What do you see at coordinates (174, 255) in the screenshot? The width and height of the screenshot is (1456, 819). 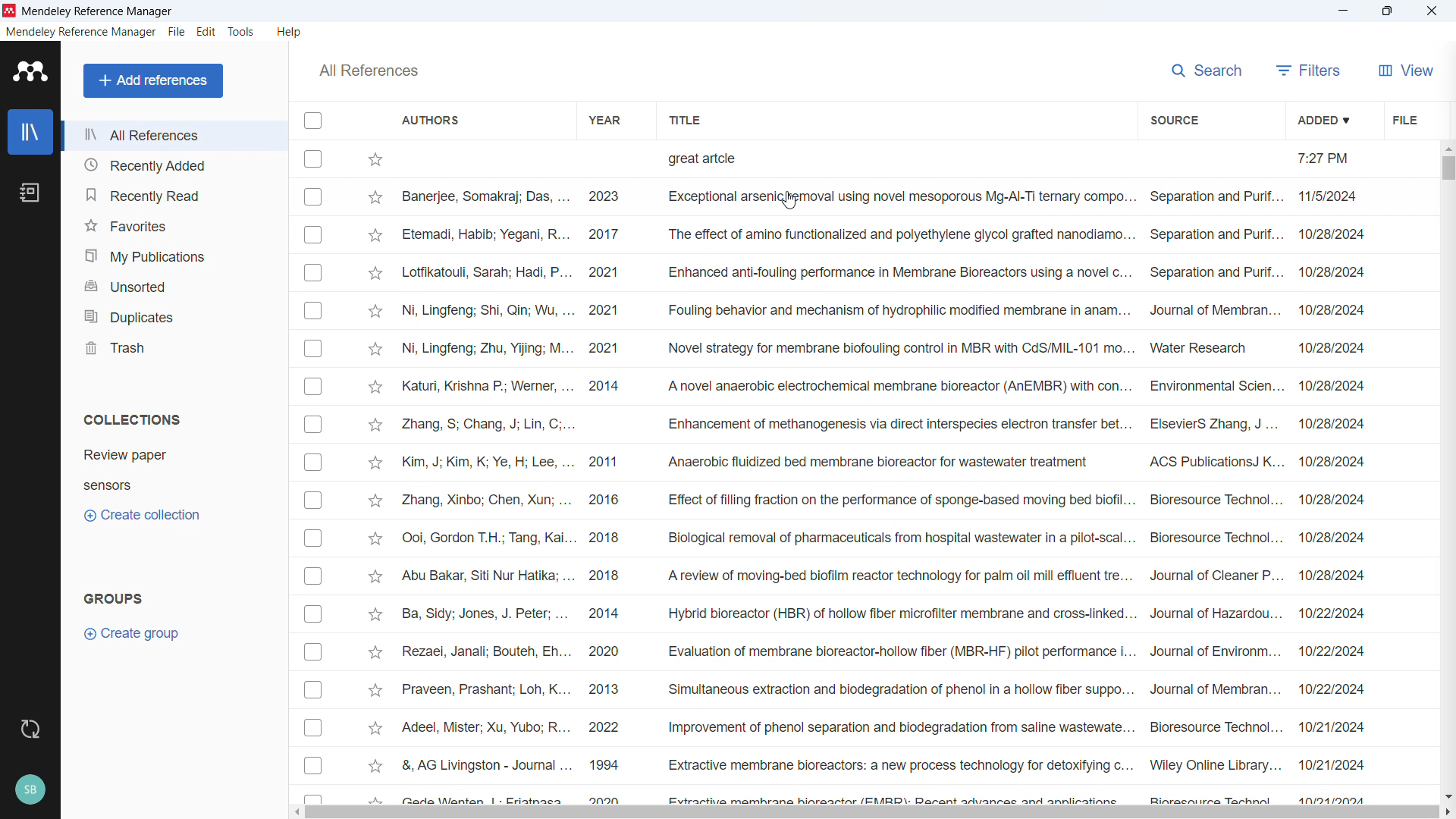 I see `My publications ` at bounding box center [174, 255].